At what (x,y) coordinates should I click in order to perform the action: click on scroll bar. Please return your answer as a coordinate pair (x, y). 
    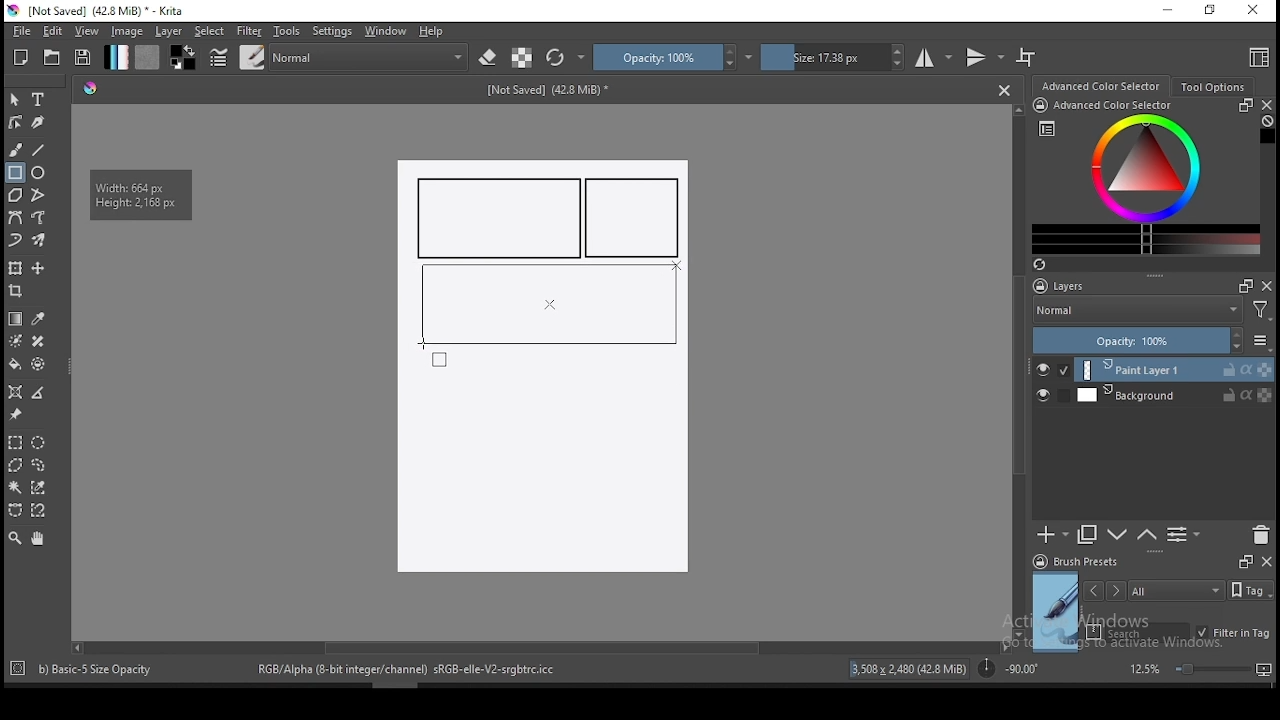
    Looking at the image, I should click on (539, 646).